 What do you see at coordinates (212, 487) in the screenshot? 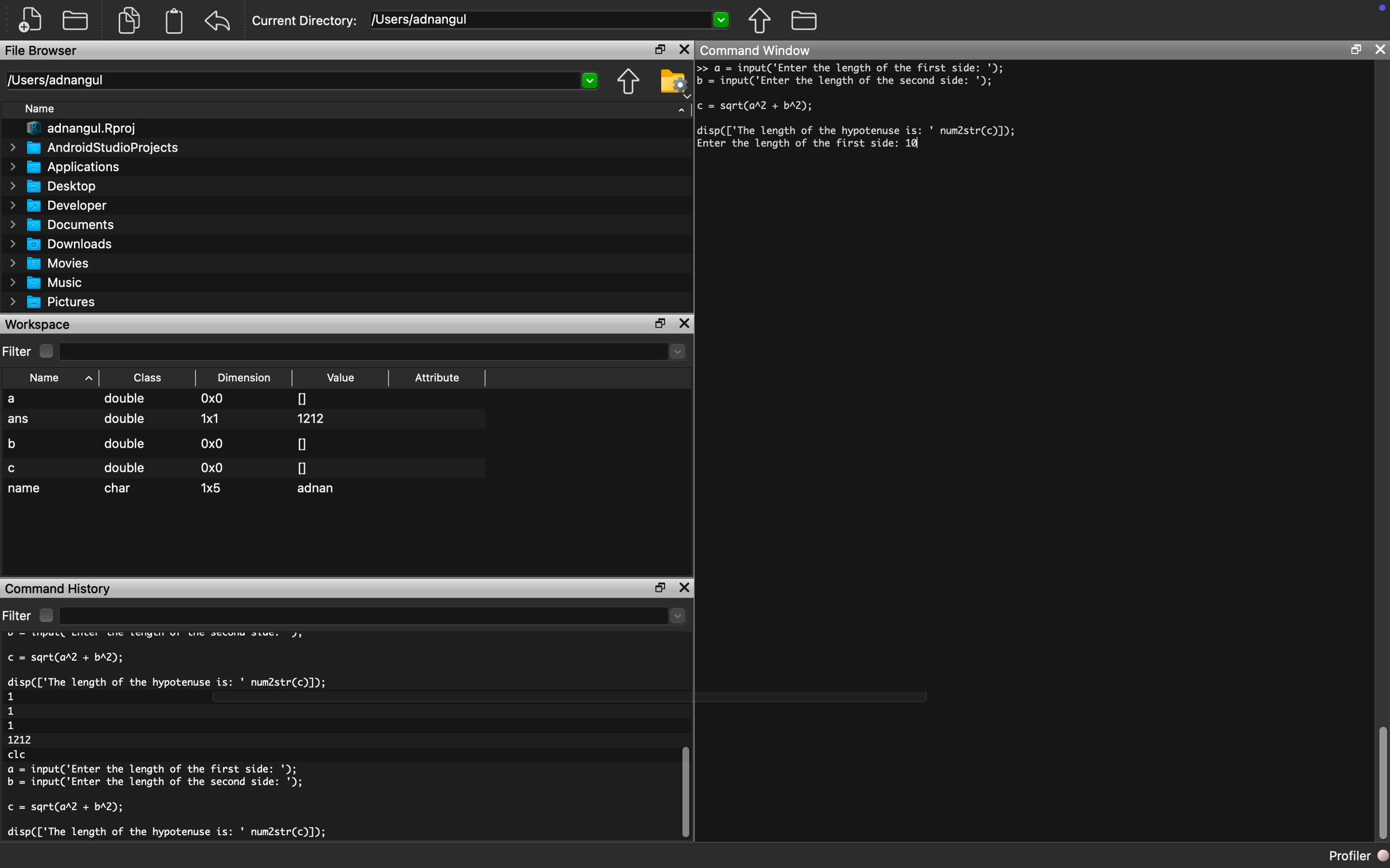
I see `1x5` at bounding box center [212, 487].